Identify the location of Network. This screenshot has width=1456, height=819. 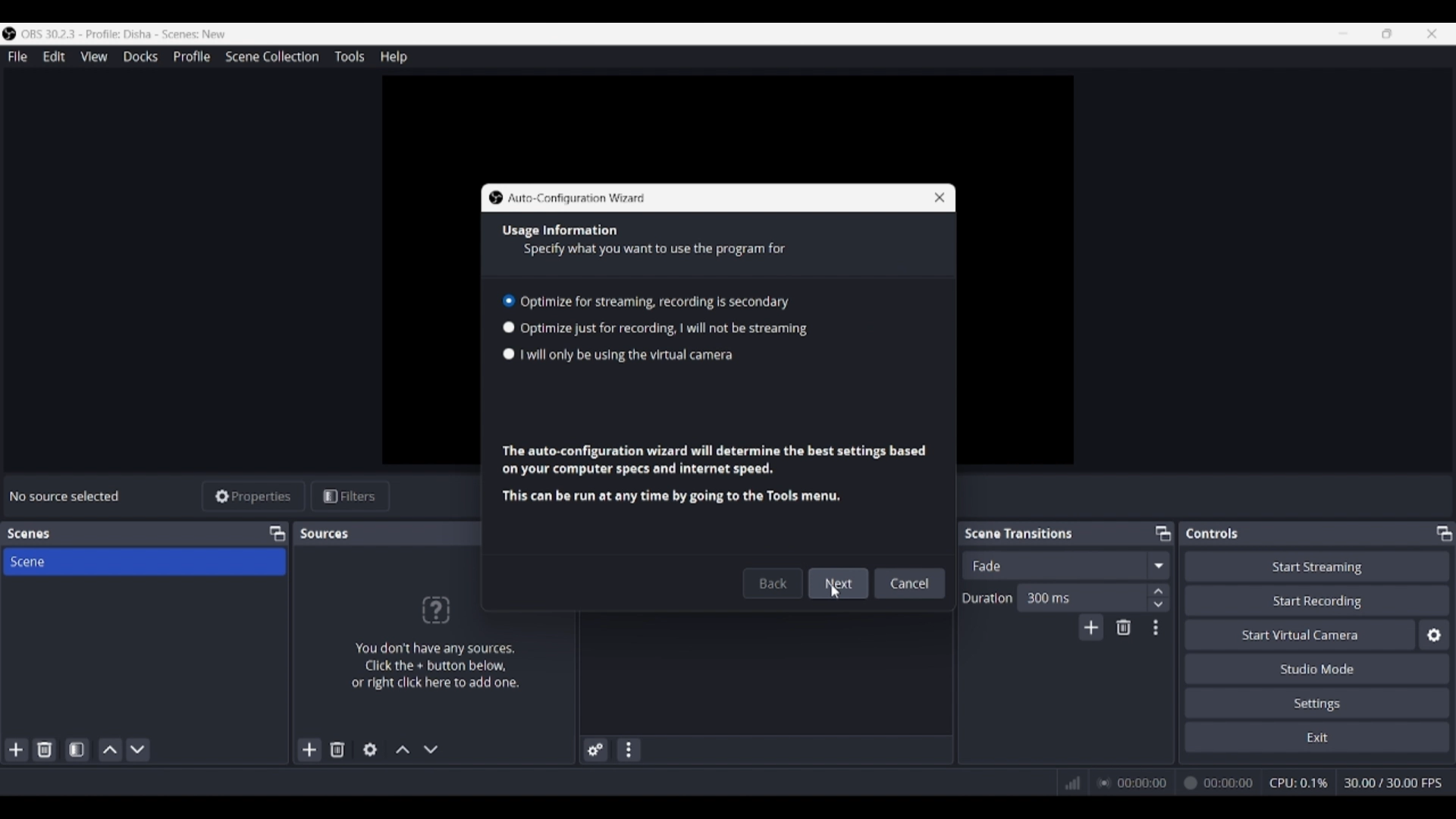
(1067, 781).